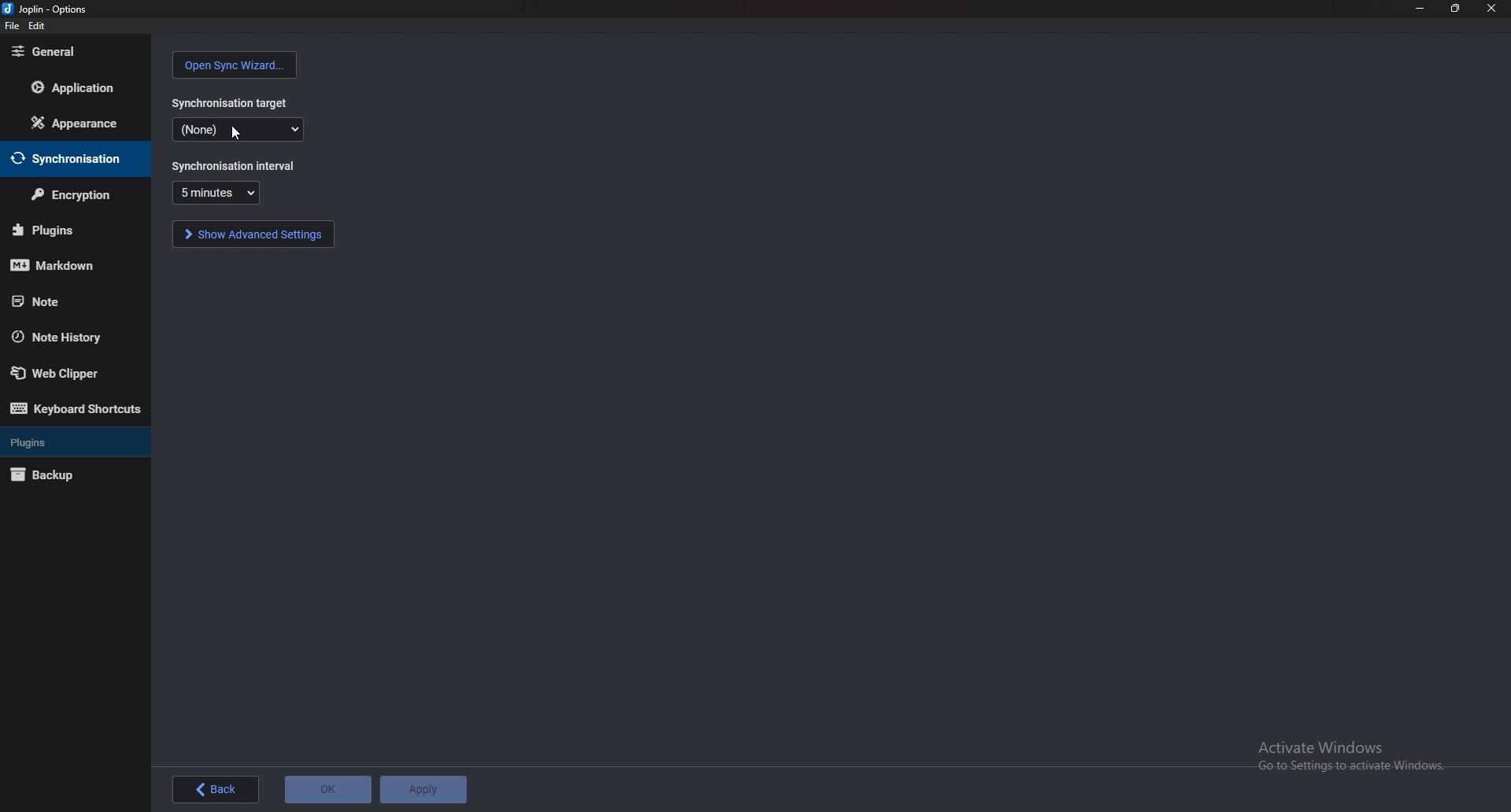  I want to click on Backup, so click(72, 474).